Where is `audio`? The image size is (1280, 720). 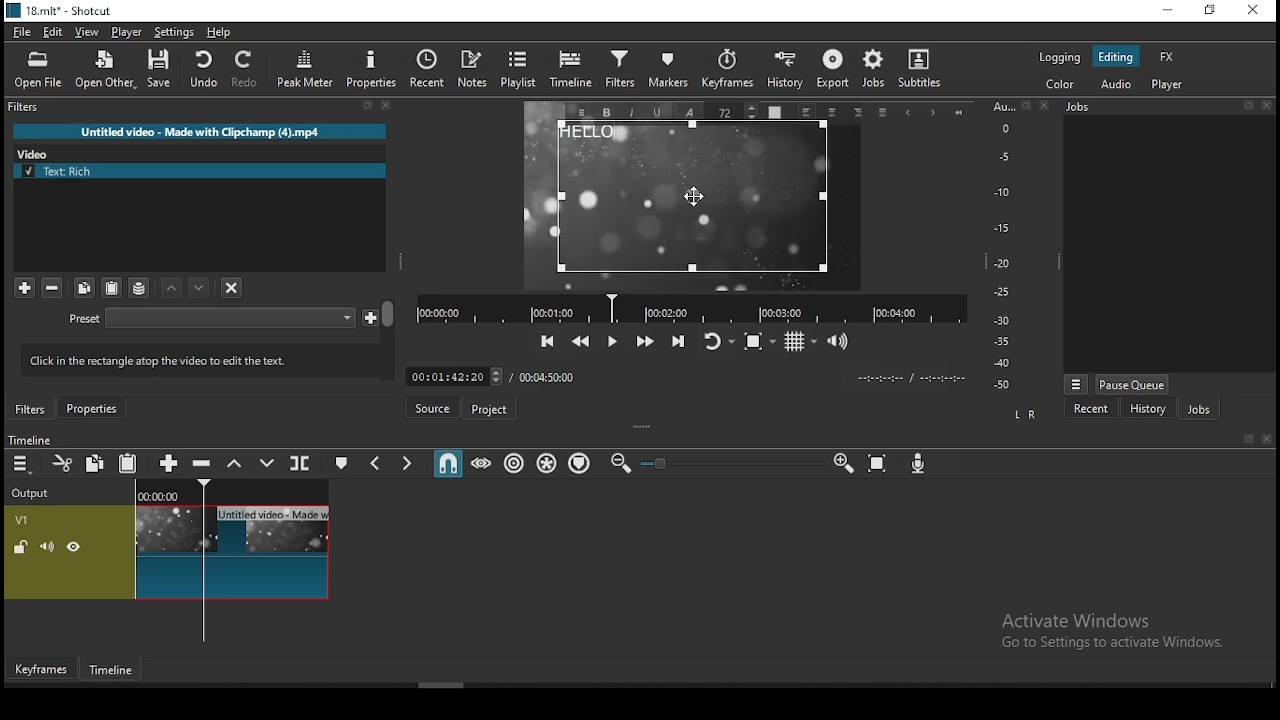 audio is located at coordinates (1115, 85).